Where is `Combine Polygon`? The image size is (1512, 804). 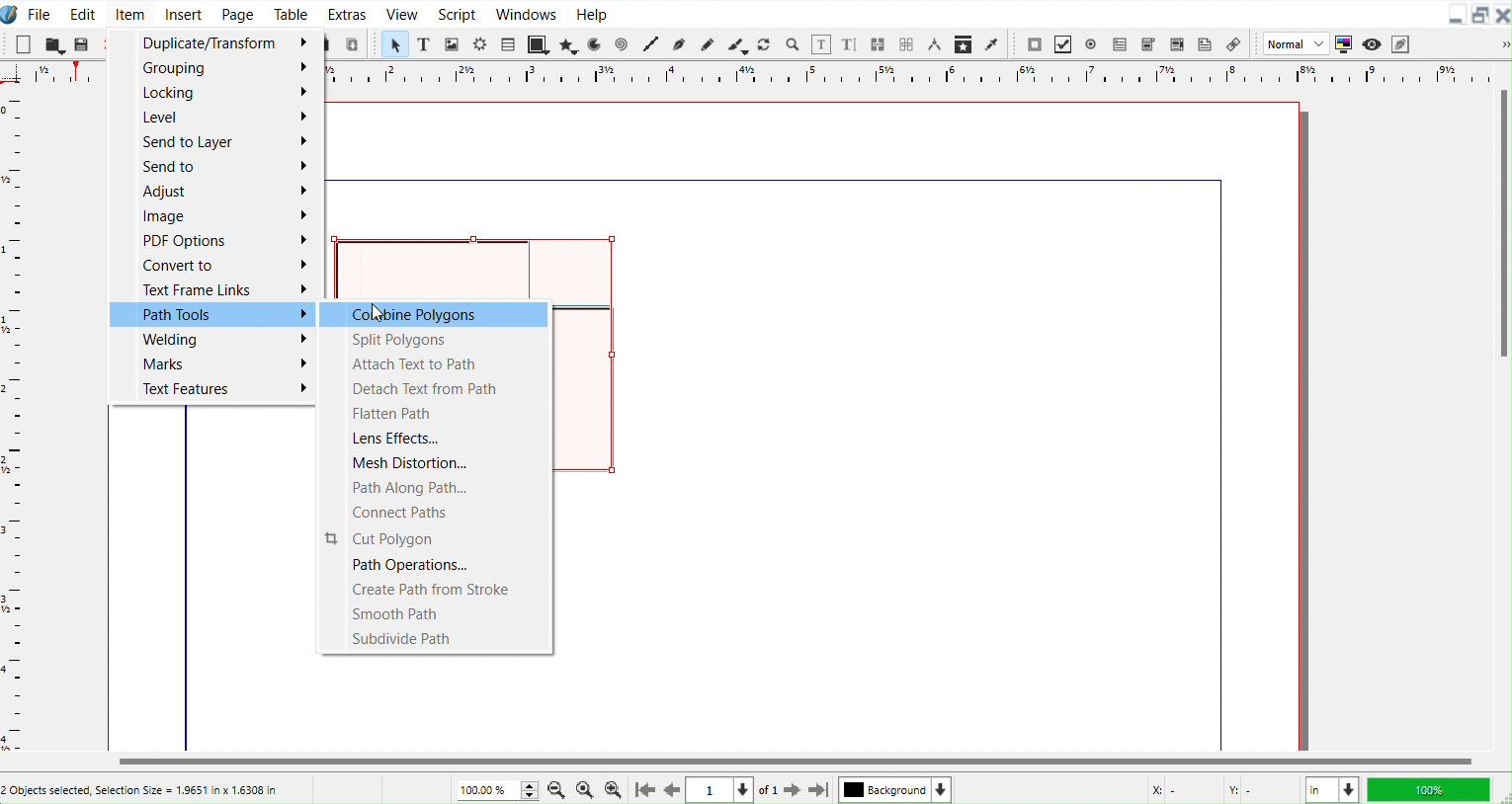 Combine Polygon is located at coordinates (429, 313).